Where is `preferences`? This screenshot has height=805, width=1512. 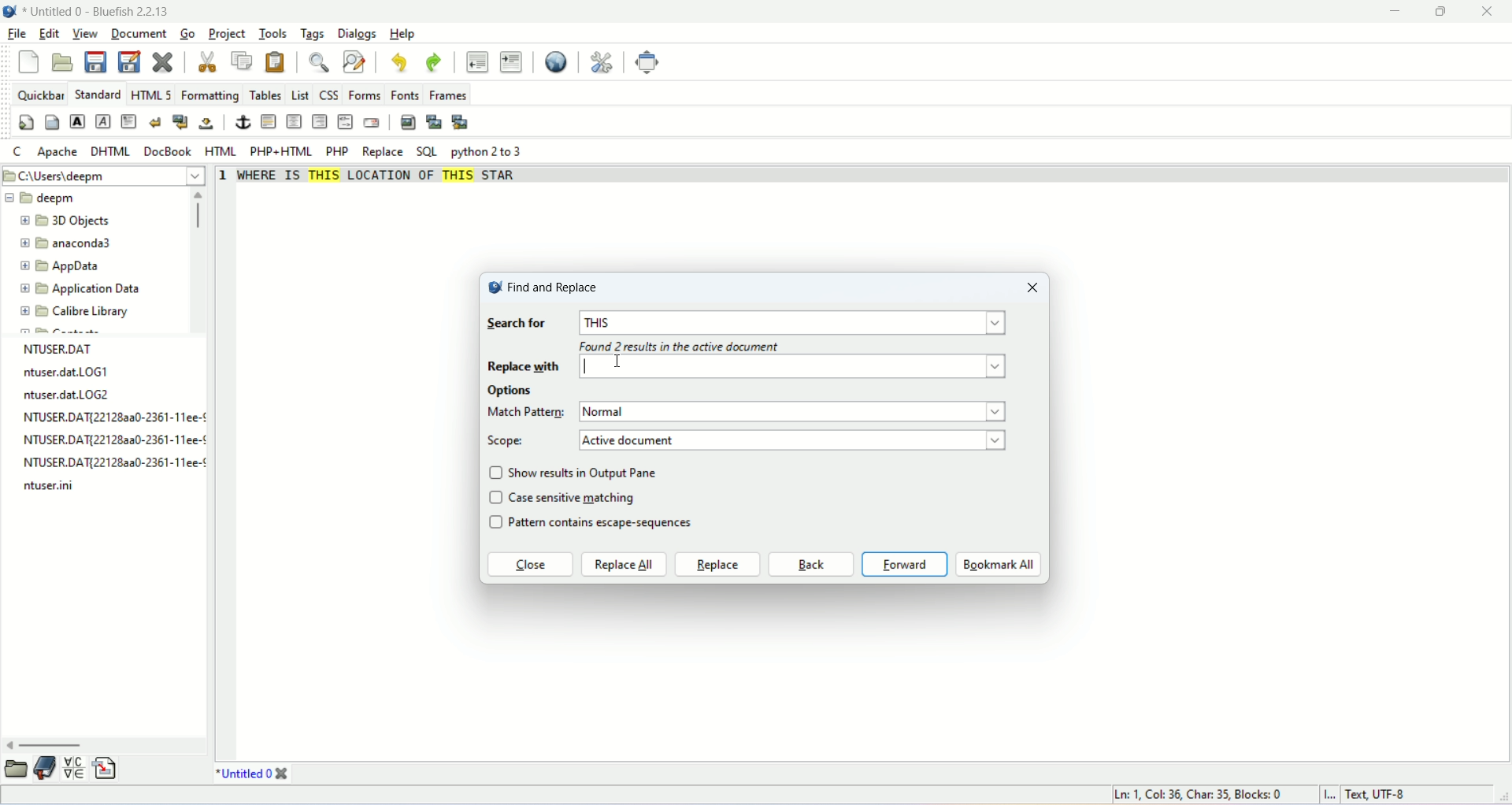
preferences is located at coordinates (602, 63).